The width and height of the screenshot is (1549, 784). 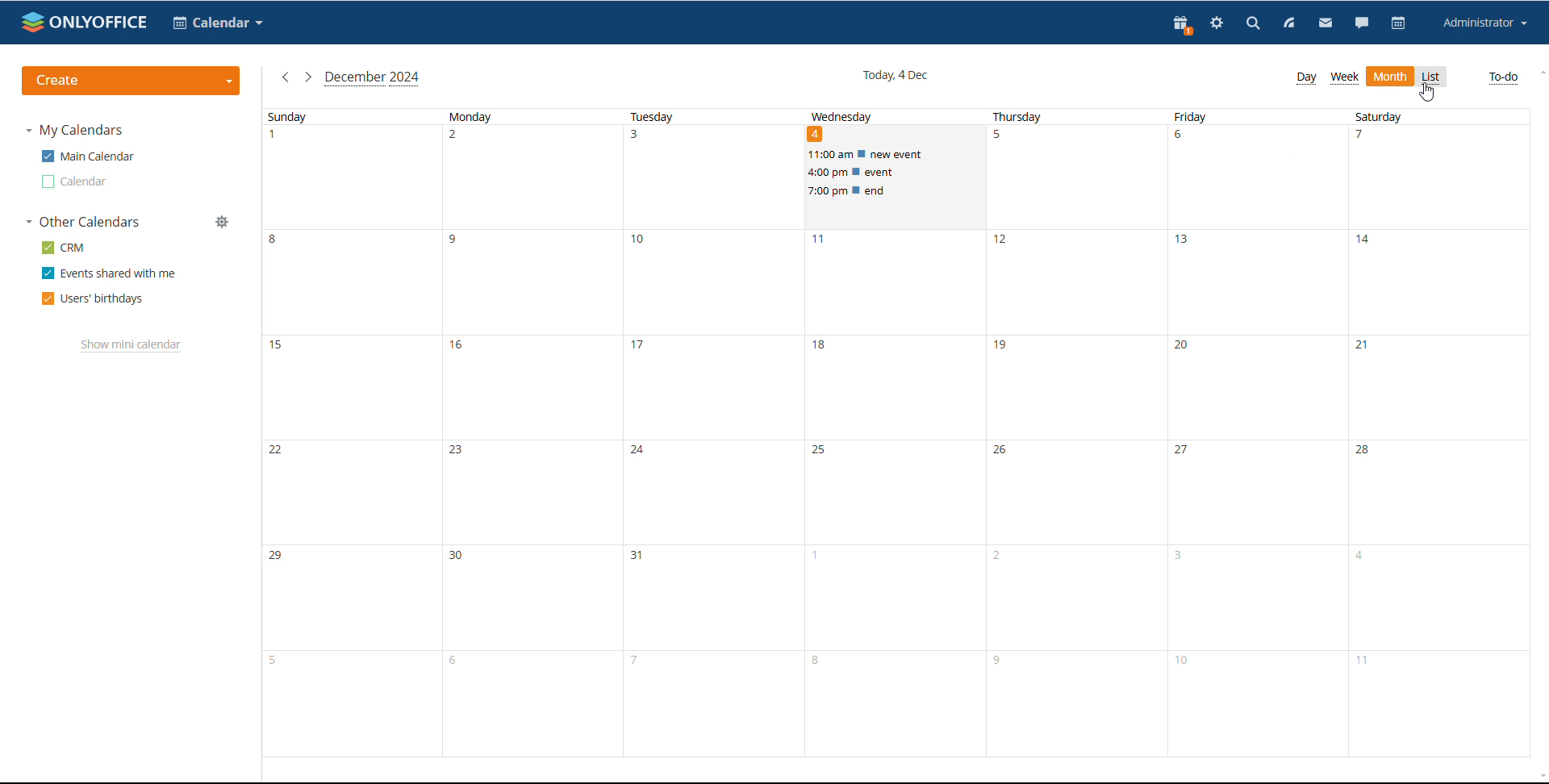 I want to click on week view, so click(x=1344, y=78).